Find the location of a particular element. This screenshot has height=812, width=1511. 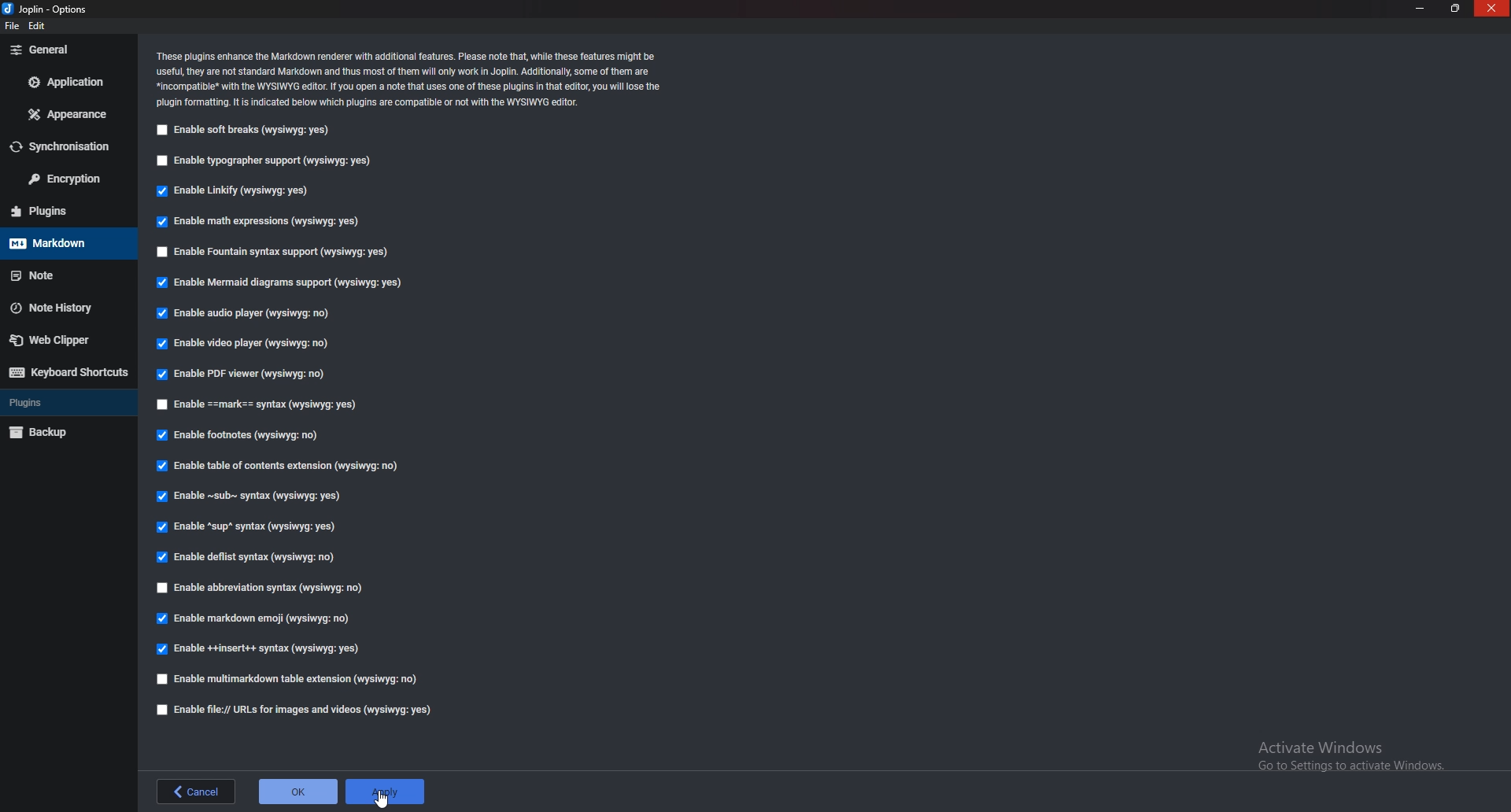

edit is located at coordinates (40, 28).